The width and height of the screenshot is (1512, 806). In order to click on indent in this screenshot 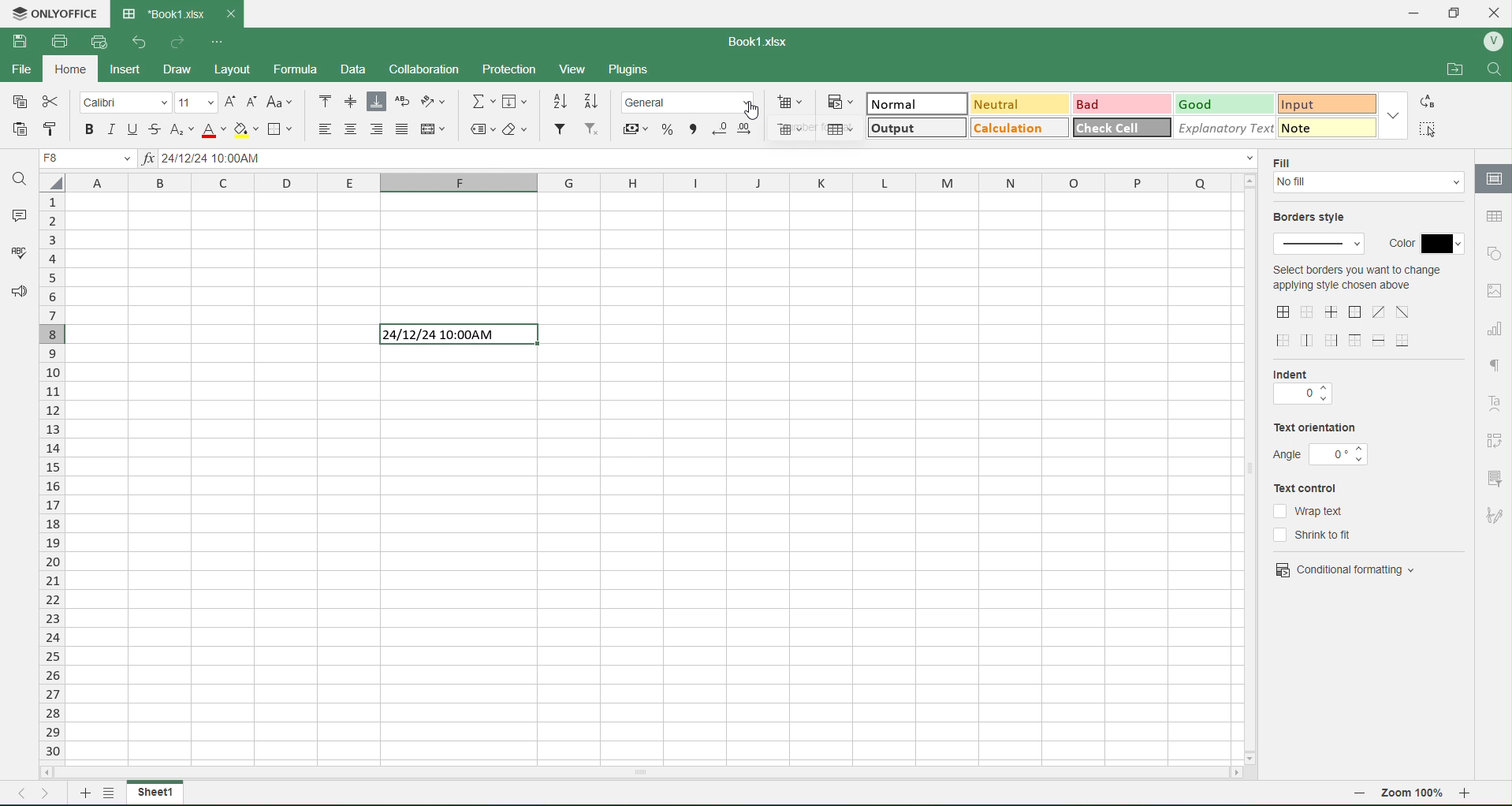, I will do `click(1302, 396)`.